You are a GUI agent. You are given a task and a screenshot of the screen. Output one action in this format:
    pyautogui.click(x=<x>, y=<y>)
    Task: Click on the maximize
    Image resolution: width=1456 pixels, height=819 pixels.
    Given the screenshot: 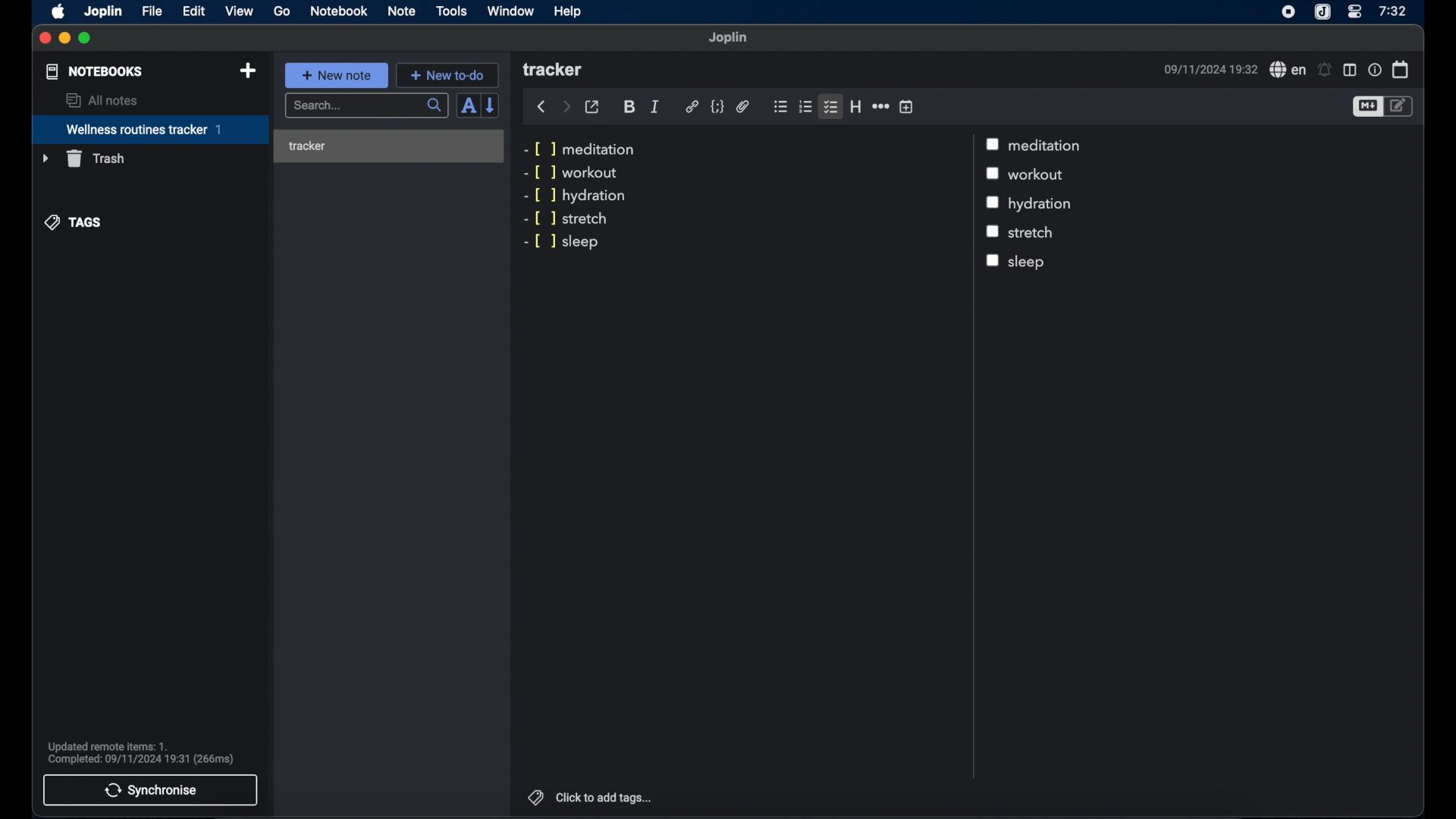 What is the action you would take?
    pyautogui.click(x=86, y=39)
    